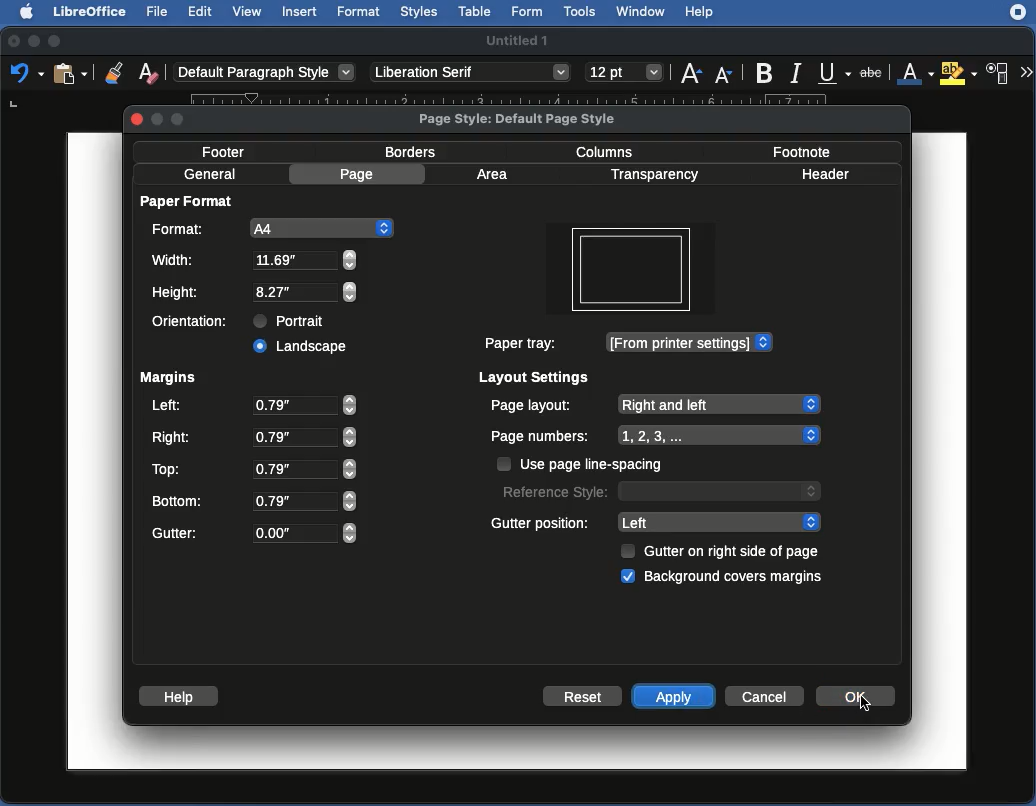 This screenshot has height=806, width=1036. Describe the element at coordinates (795, 74) in the screenshot. I see `Italic` at that location.